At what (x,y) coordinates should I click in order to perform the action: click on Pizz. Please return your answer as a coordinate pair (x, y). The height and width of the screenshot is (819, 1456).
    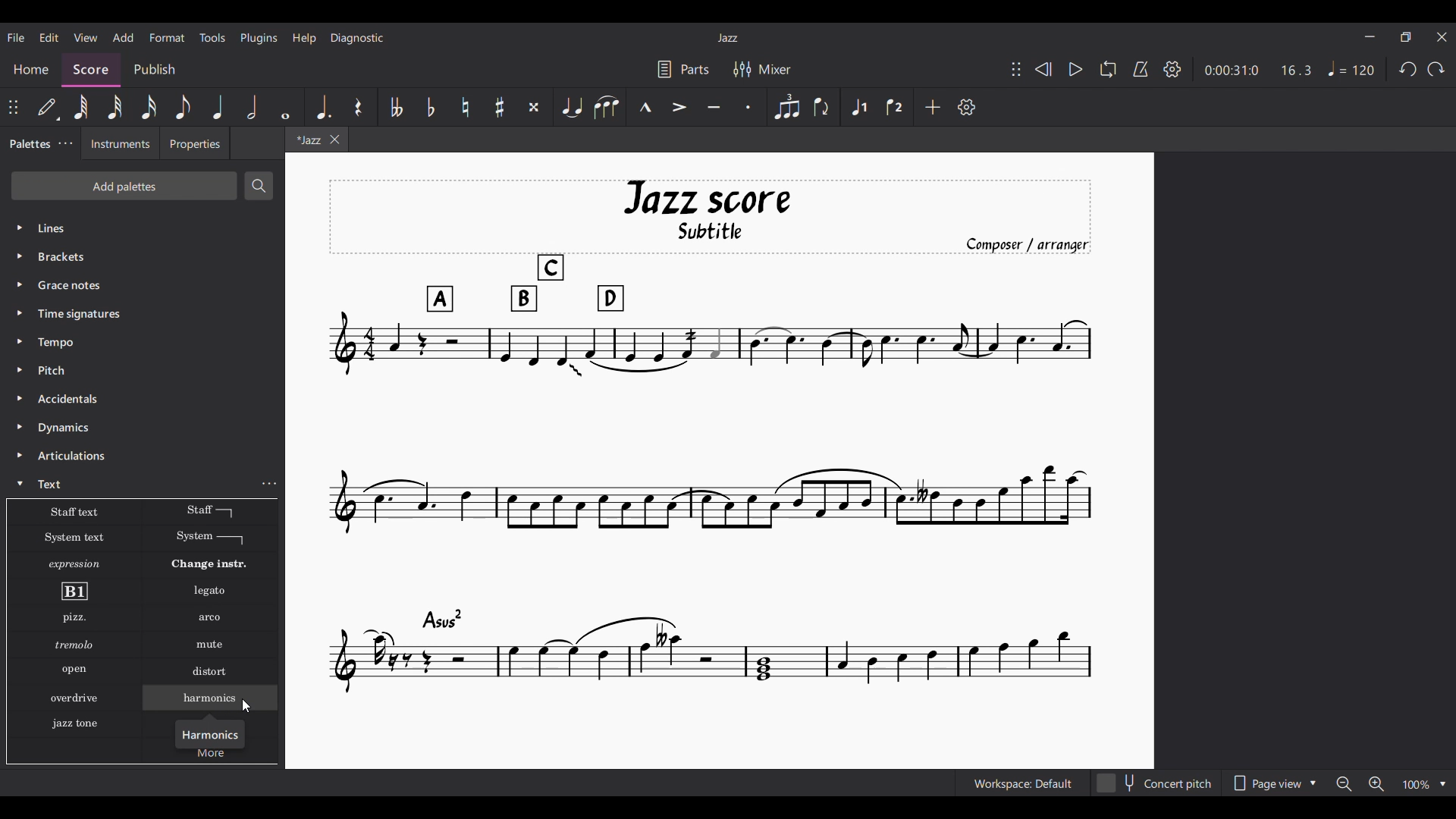
    Looking at the image, I should click on (73, 619).